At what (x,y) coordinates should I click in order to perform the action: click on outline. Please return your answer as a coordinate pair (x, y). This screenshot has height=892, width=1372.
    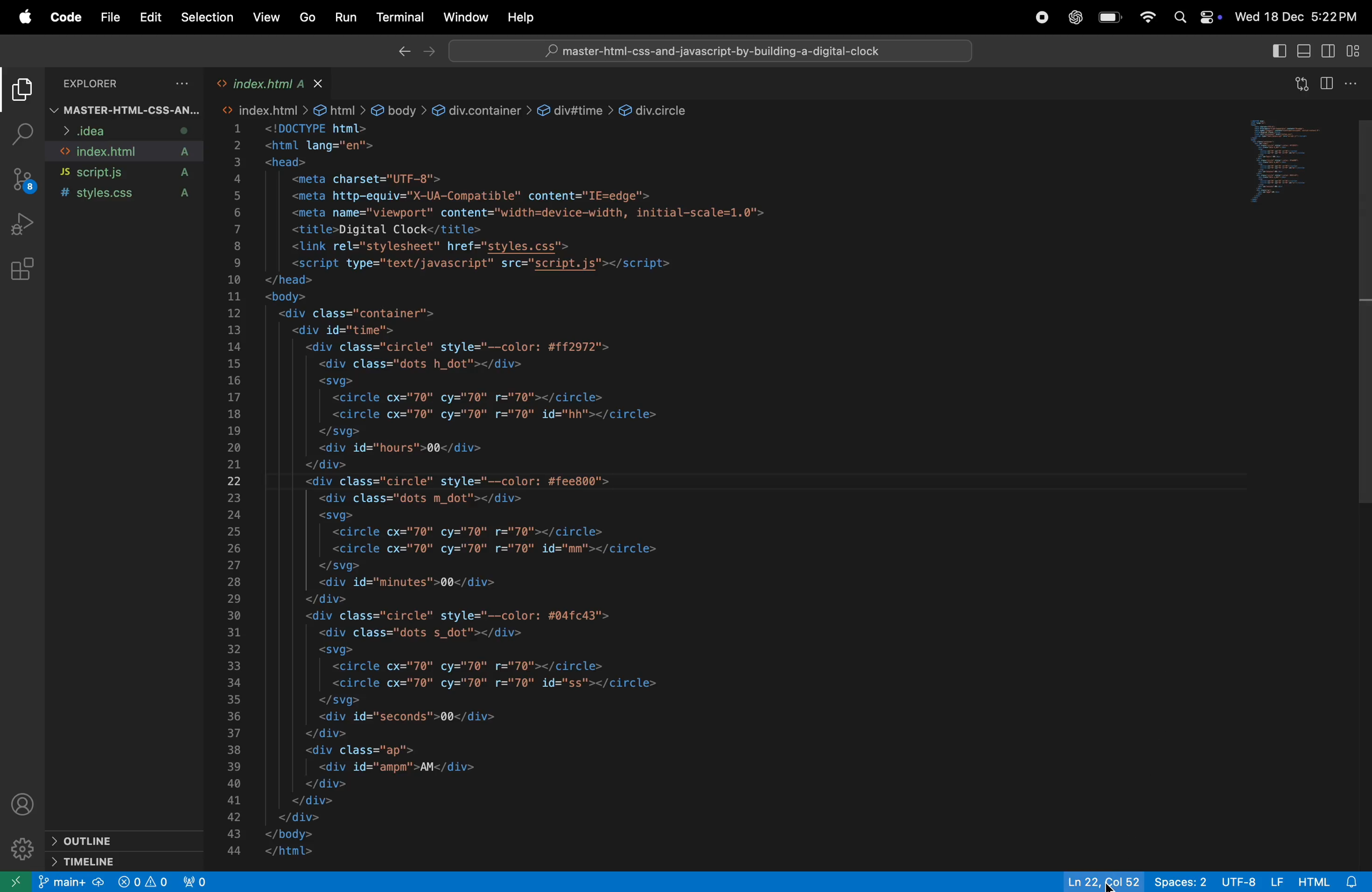
    Looking at the image, I should click on (126, 840).